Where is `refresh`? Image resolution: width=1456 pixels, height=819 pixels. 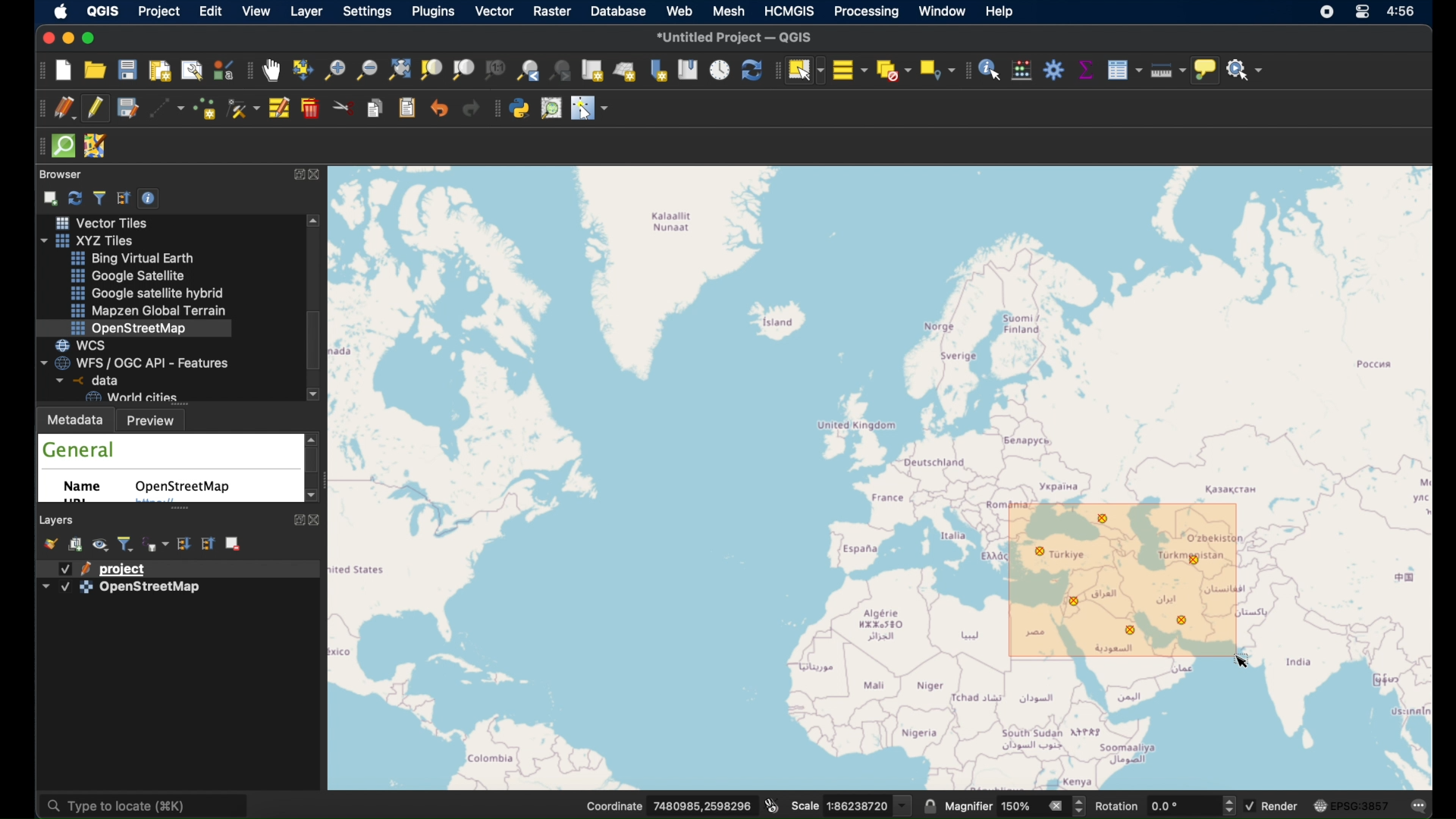 refresh is located at coordinates (74, 196).